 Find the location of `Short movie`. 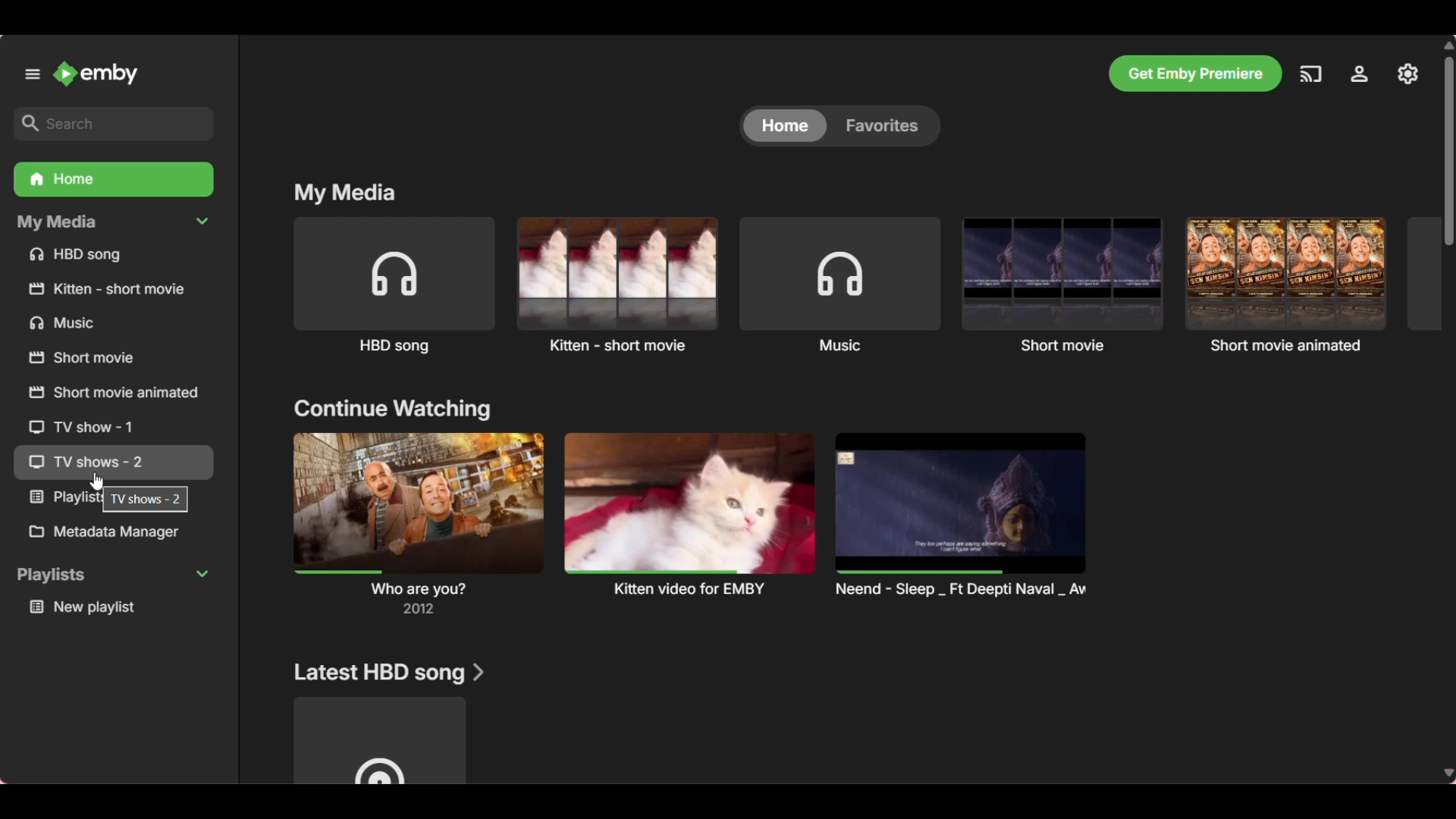

Short movie is located at coordinates (1063, 285).